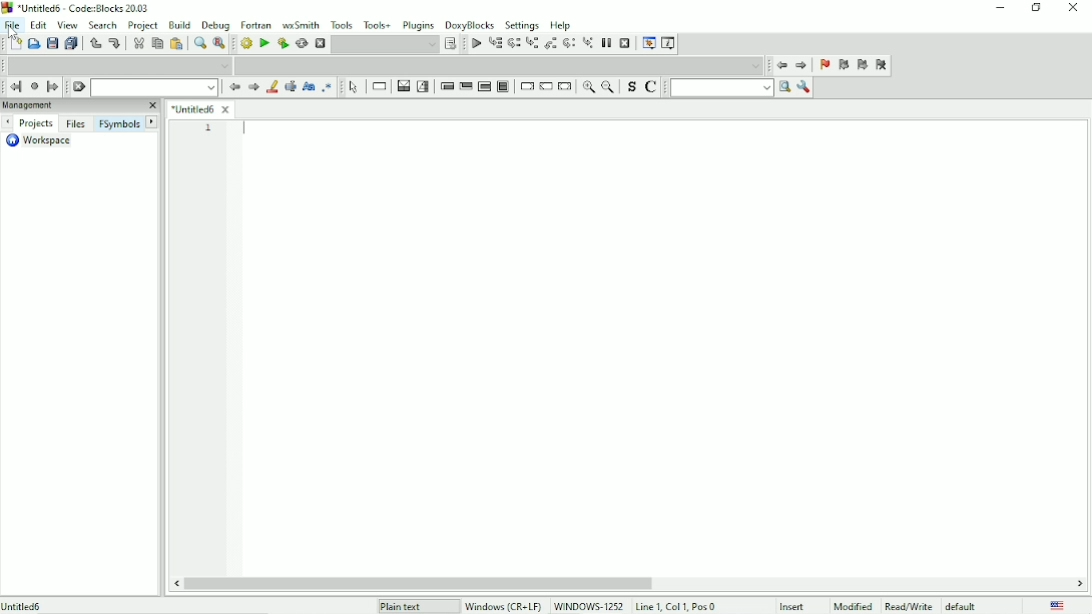 This screenshot has height=614, width=1092. What do you see at coordinates (853, 605) in the screenshot?
I see `Modified` at bounding box center [853, 605].